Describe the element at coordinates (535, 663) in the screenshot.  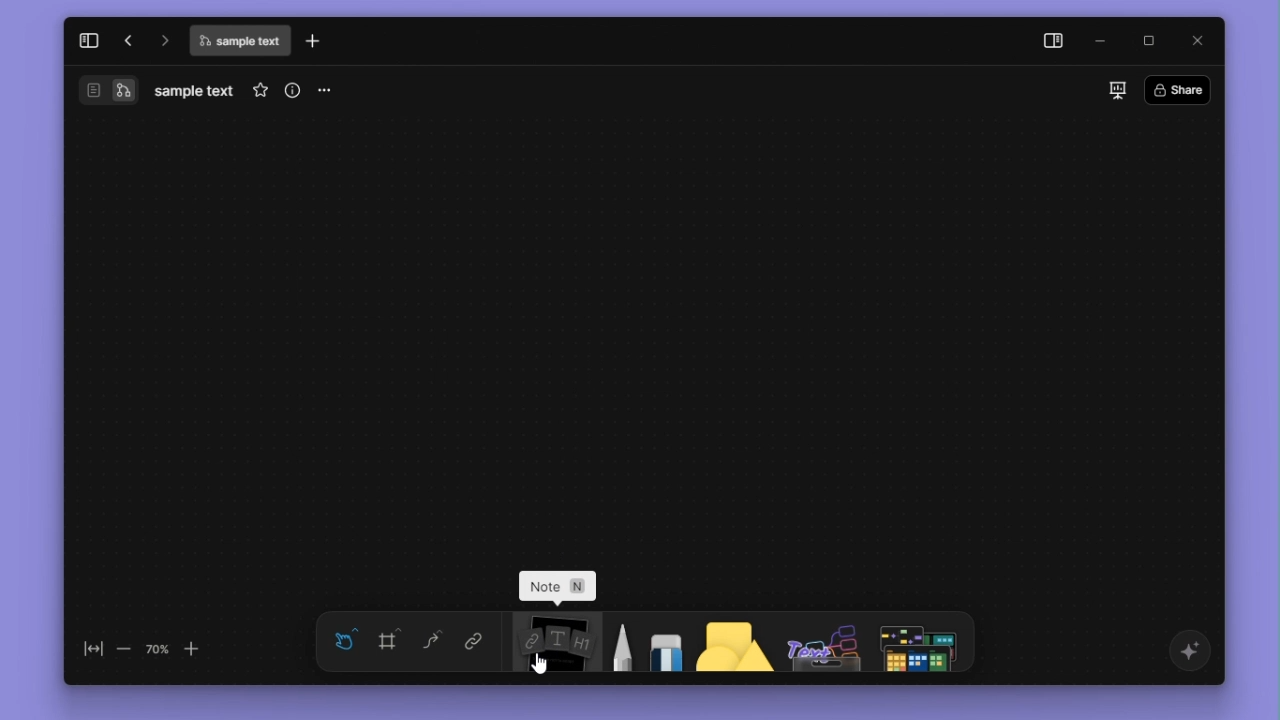
I see `cursor` at that location.